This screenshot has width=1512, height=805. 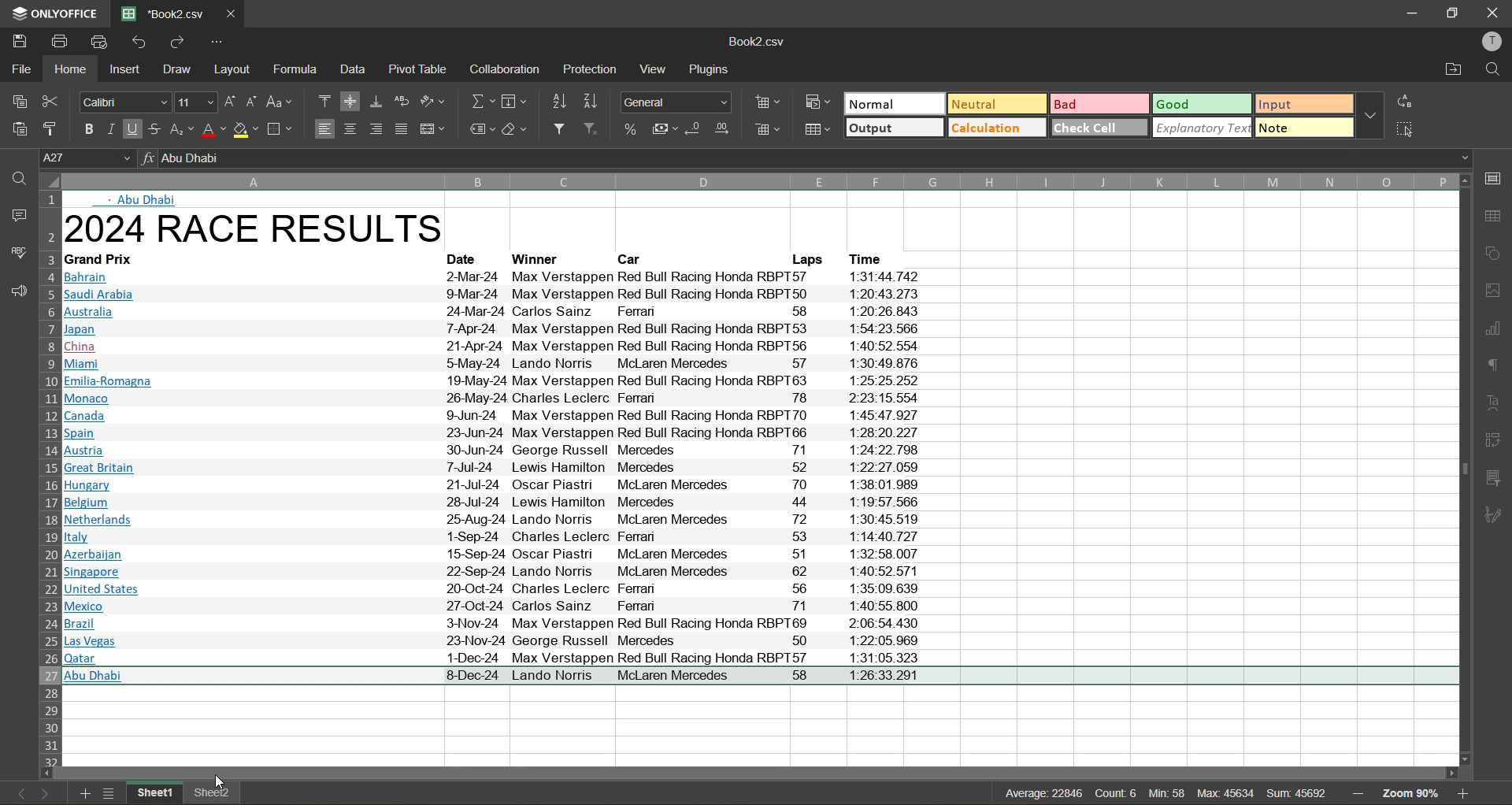 I want to click on close tab, so click(x=228, y=12).